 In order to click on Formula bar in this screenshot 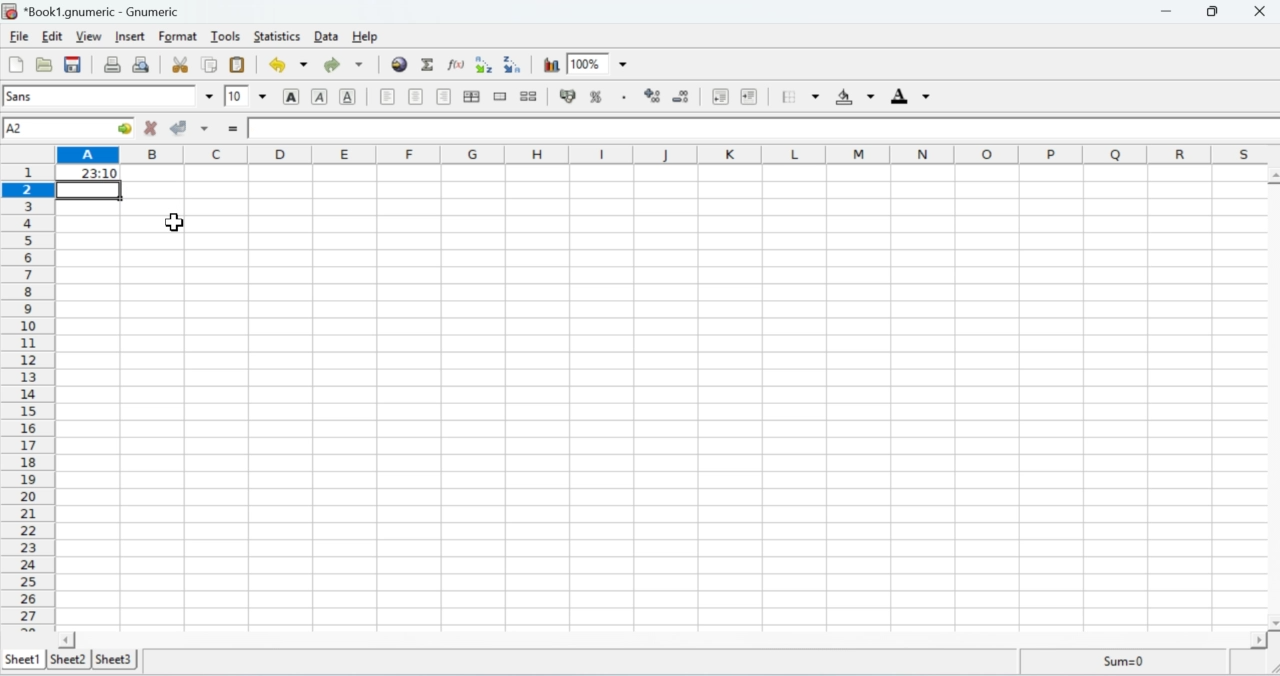, I will do `click(764, 129)`.